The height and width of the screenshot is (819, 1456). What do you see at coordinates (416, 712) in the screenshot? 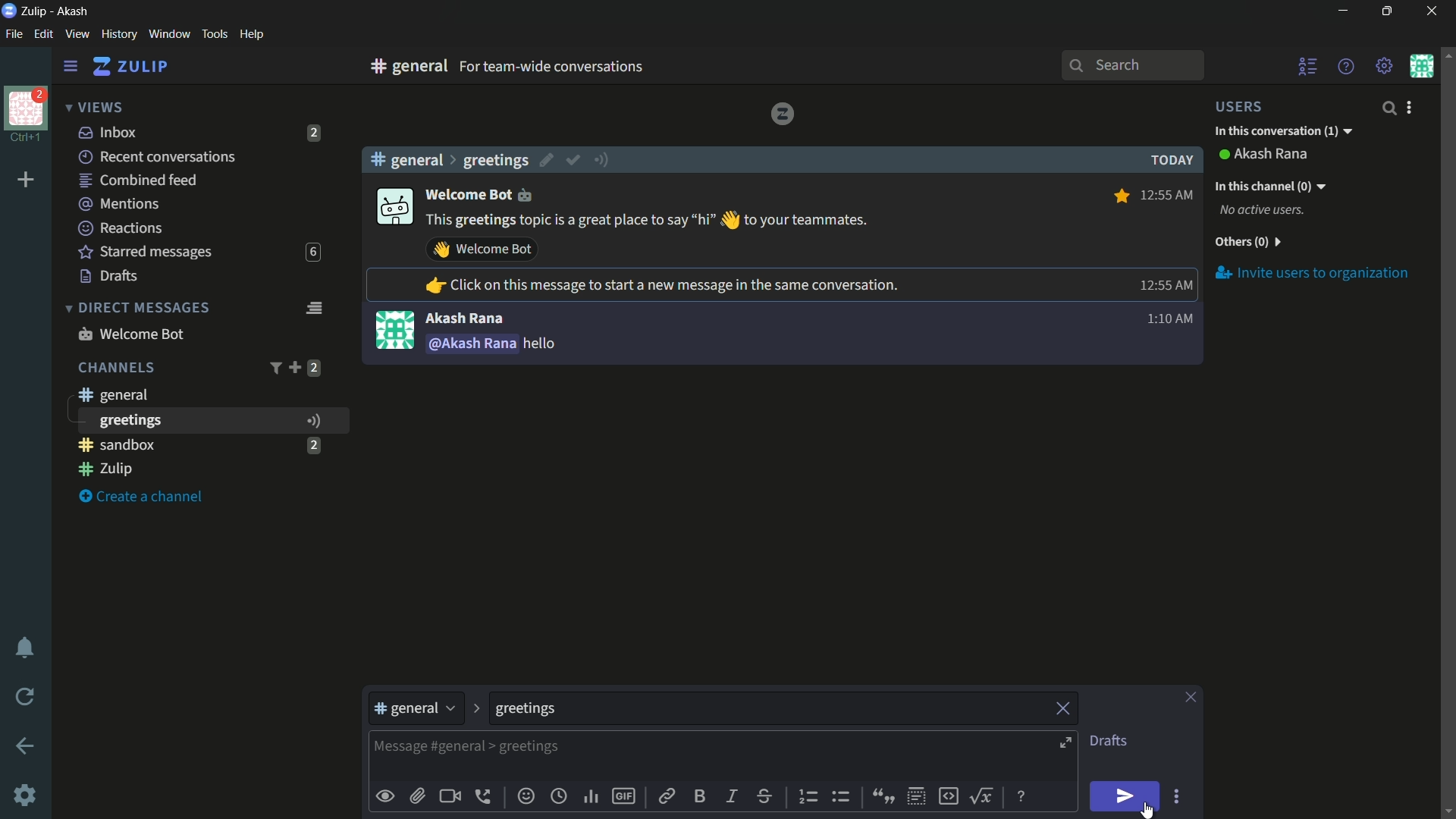
I see `general channel` at bounding box center [416, 712].